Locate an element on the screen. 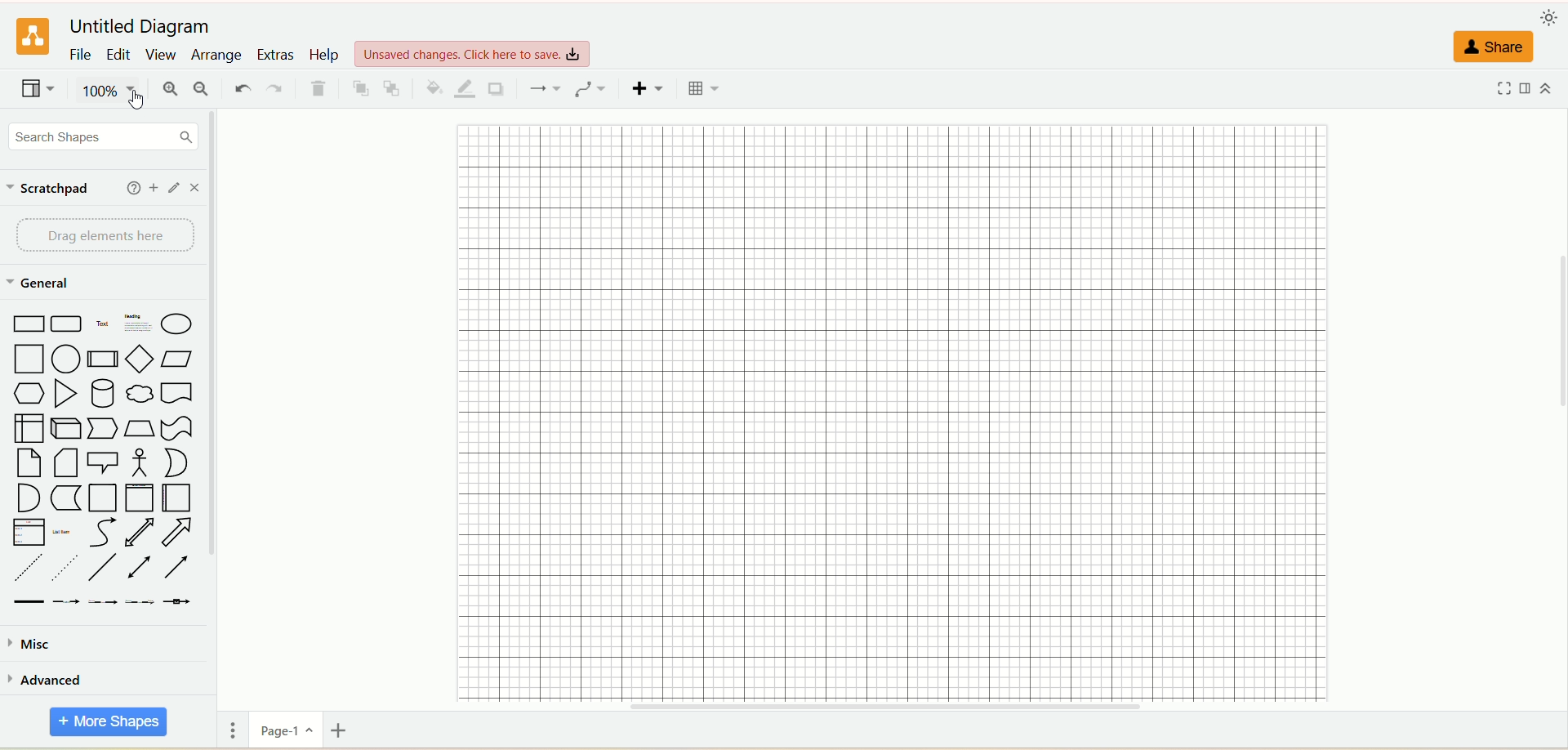 The image size is (1568, 750). page-1 is located at coordinates (288, 730).